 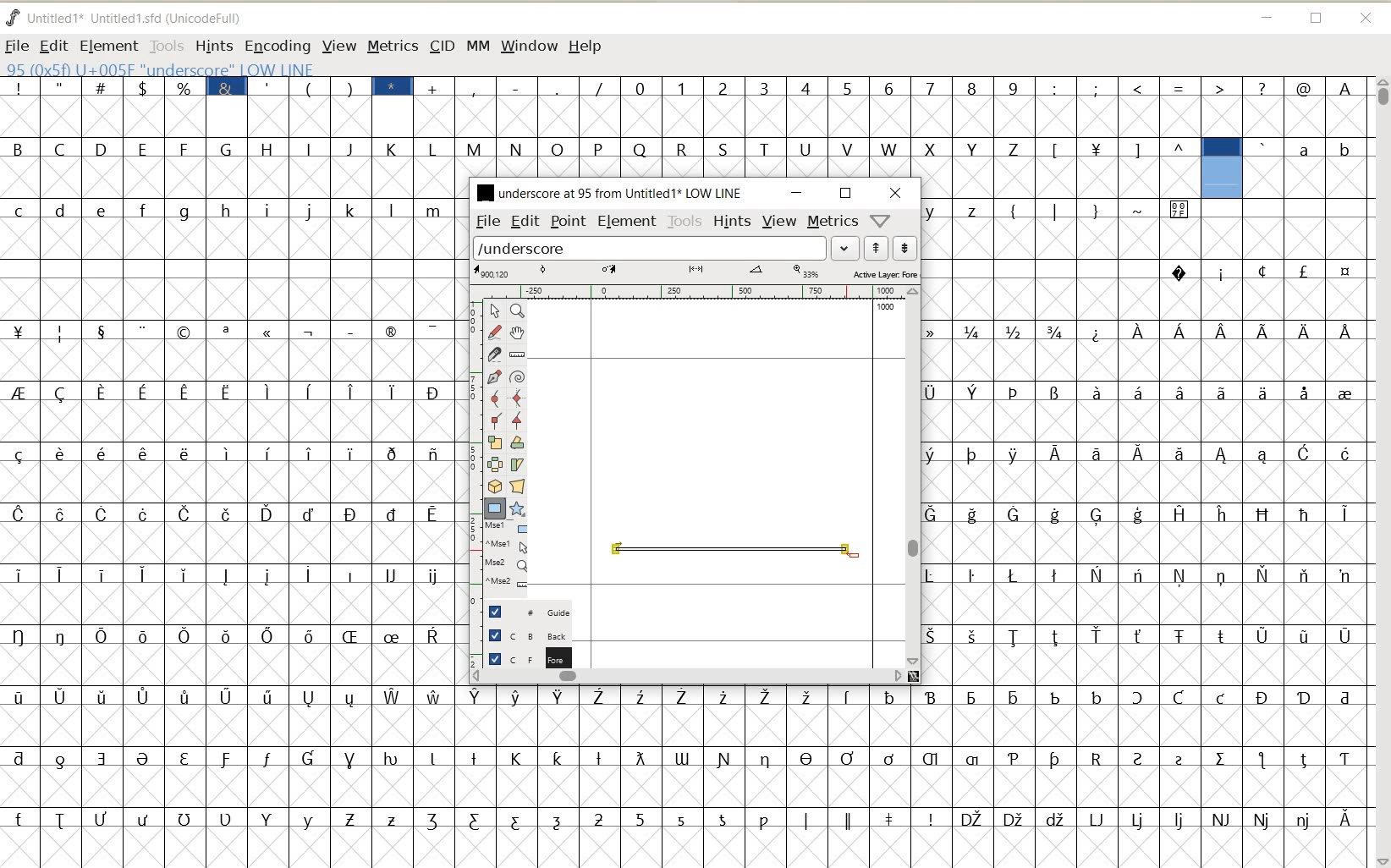 What do you see at coordinates (879, 221) in the screenshot?
I see `help/window` at bounding box center [879, 221].